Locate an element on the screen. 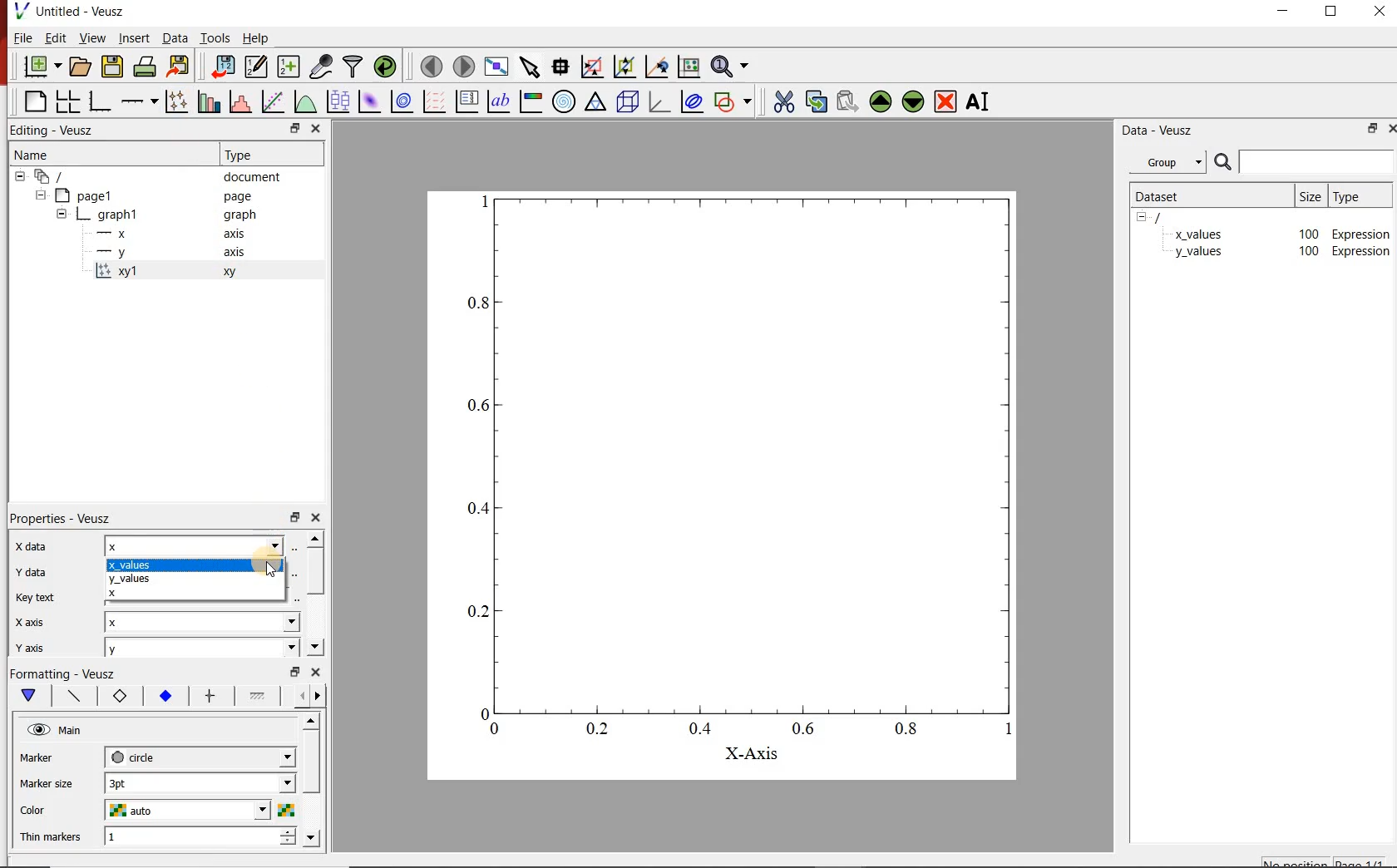 The image size is (1397, 868). axis is located at coordinates (236, 234).